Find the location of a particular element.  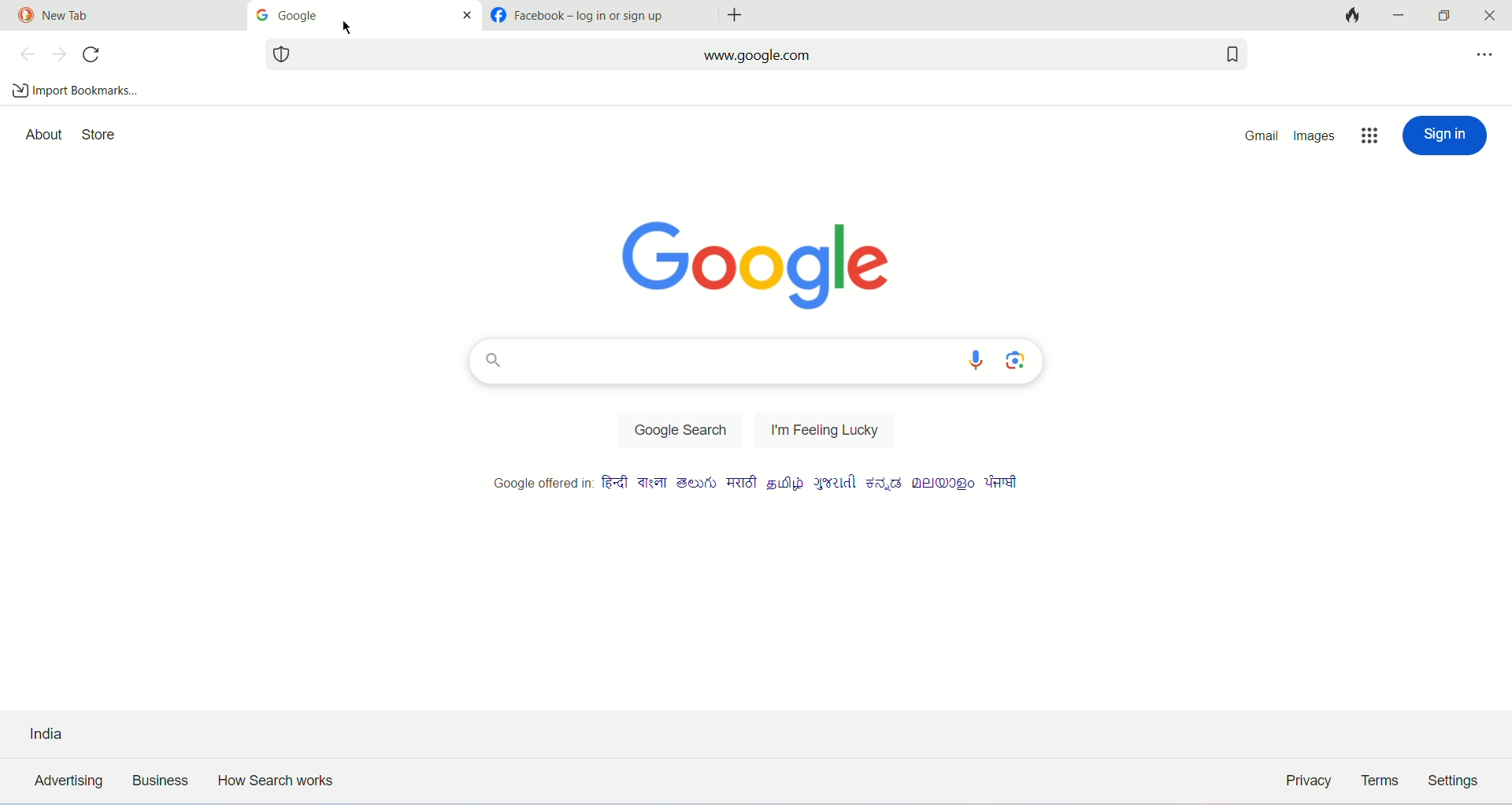

advertising is located at coordinates (65, 783).